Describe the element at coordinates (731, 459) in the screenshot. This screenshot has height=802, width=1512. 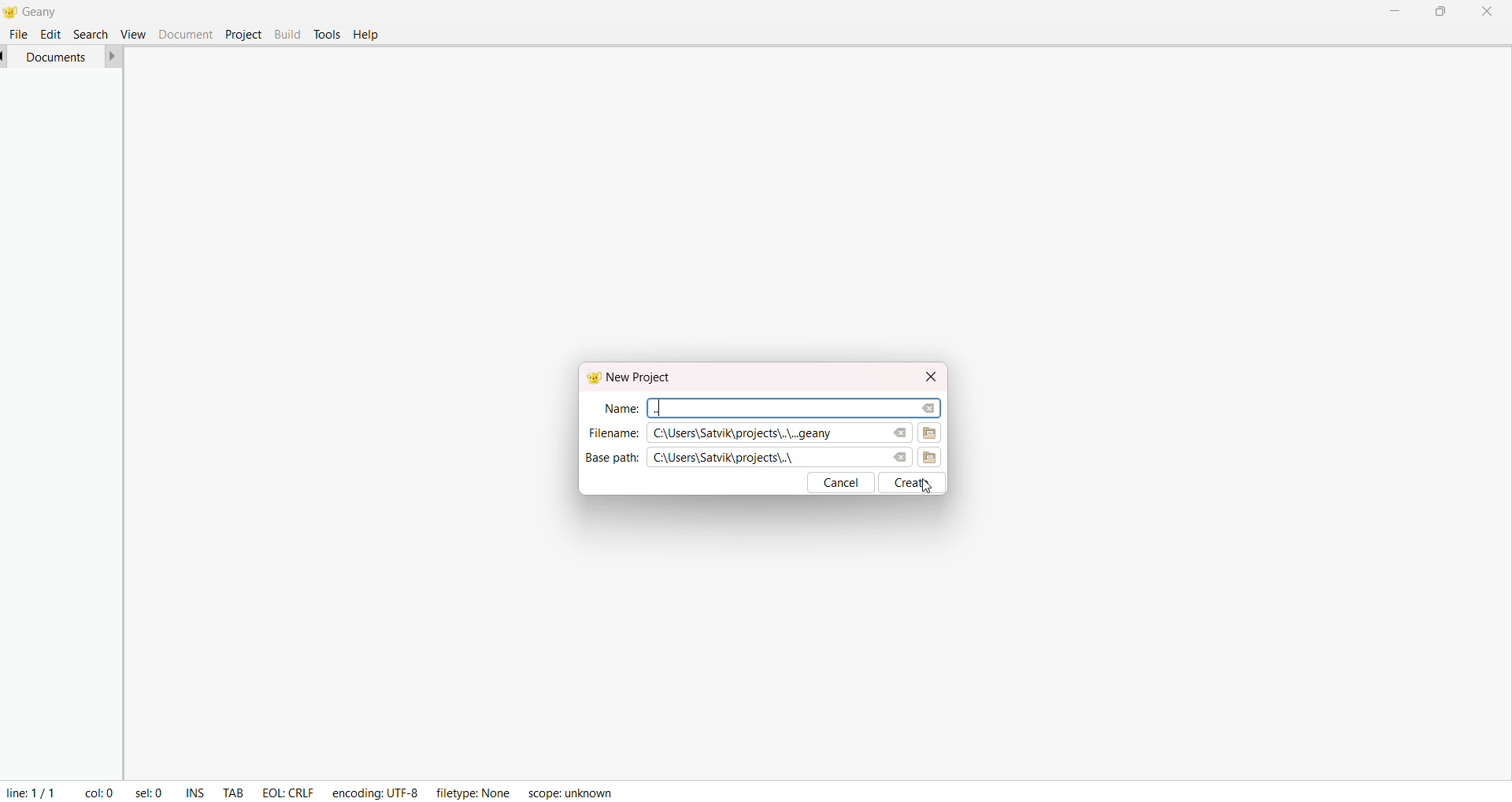
I see `C:\Users\Satvik\projects\..\` at that location.